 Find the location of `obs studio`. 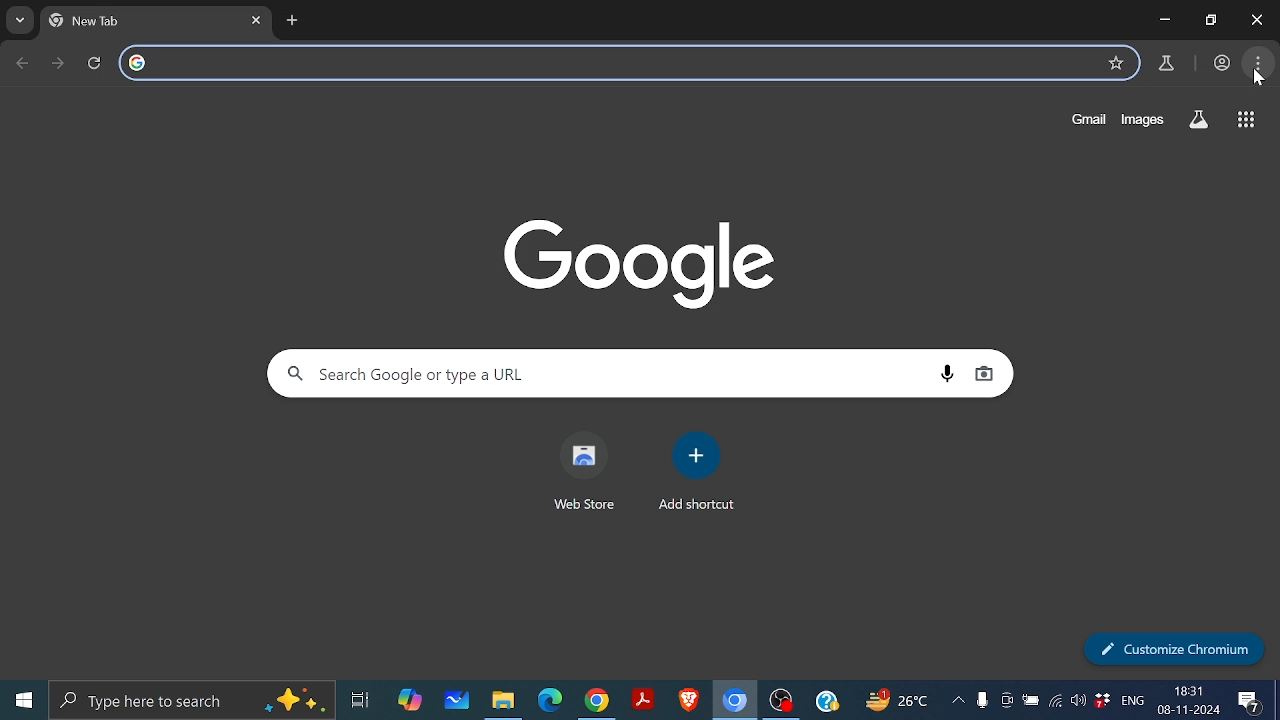

obs studio is located at coordinates (782, 703).